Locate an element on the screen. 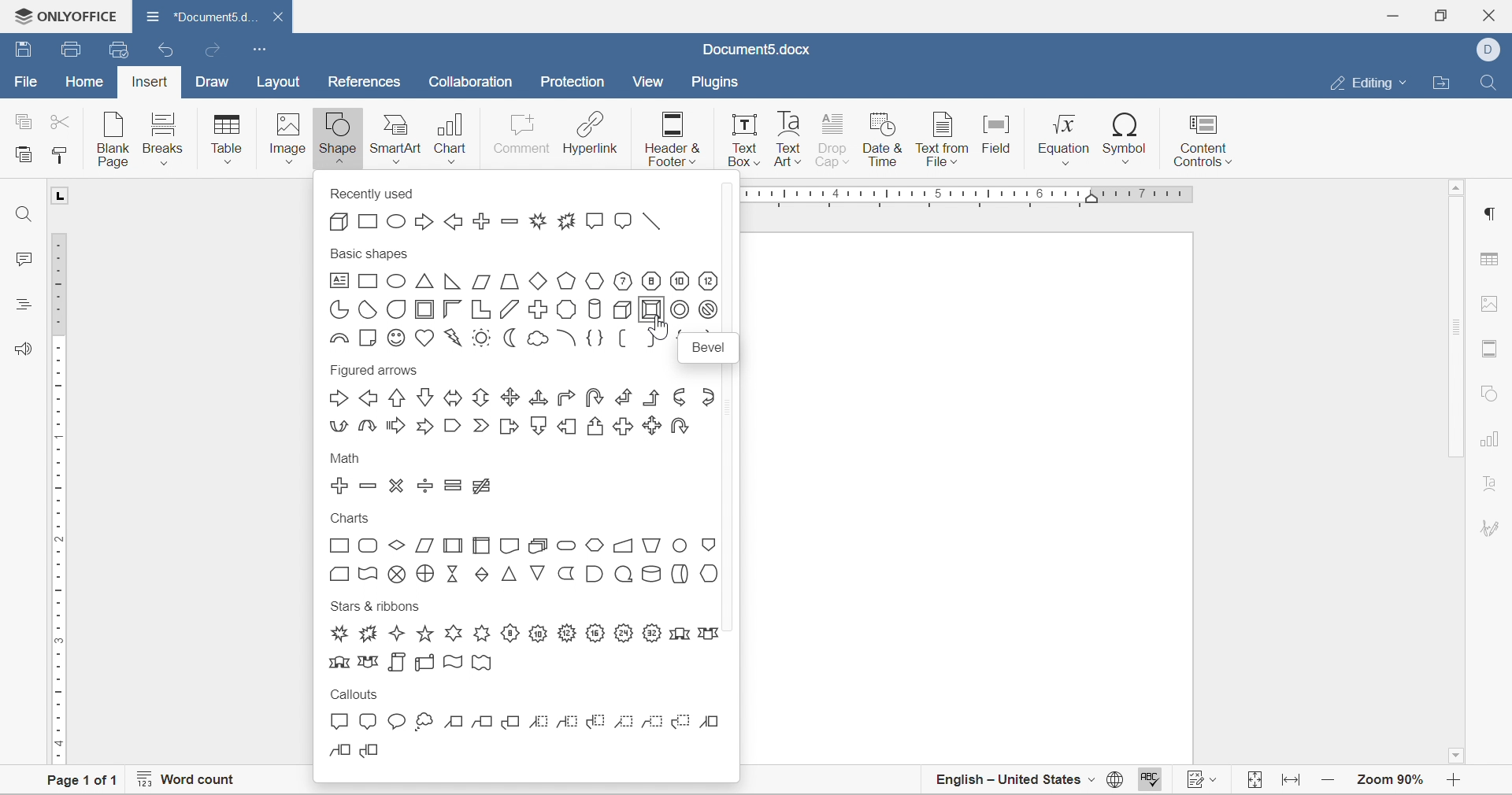 The width and height of the screenshot is (1512, 795). comment is located at coordinates (523, 131).